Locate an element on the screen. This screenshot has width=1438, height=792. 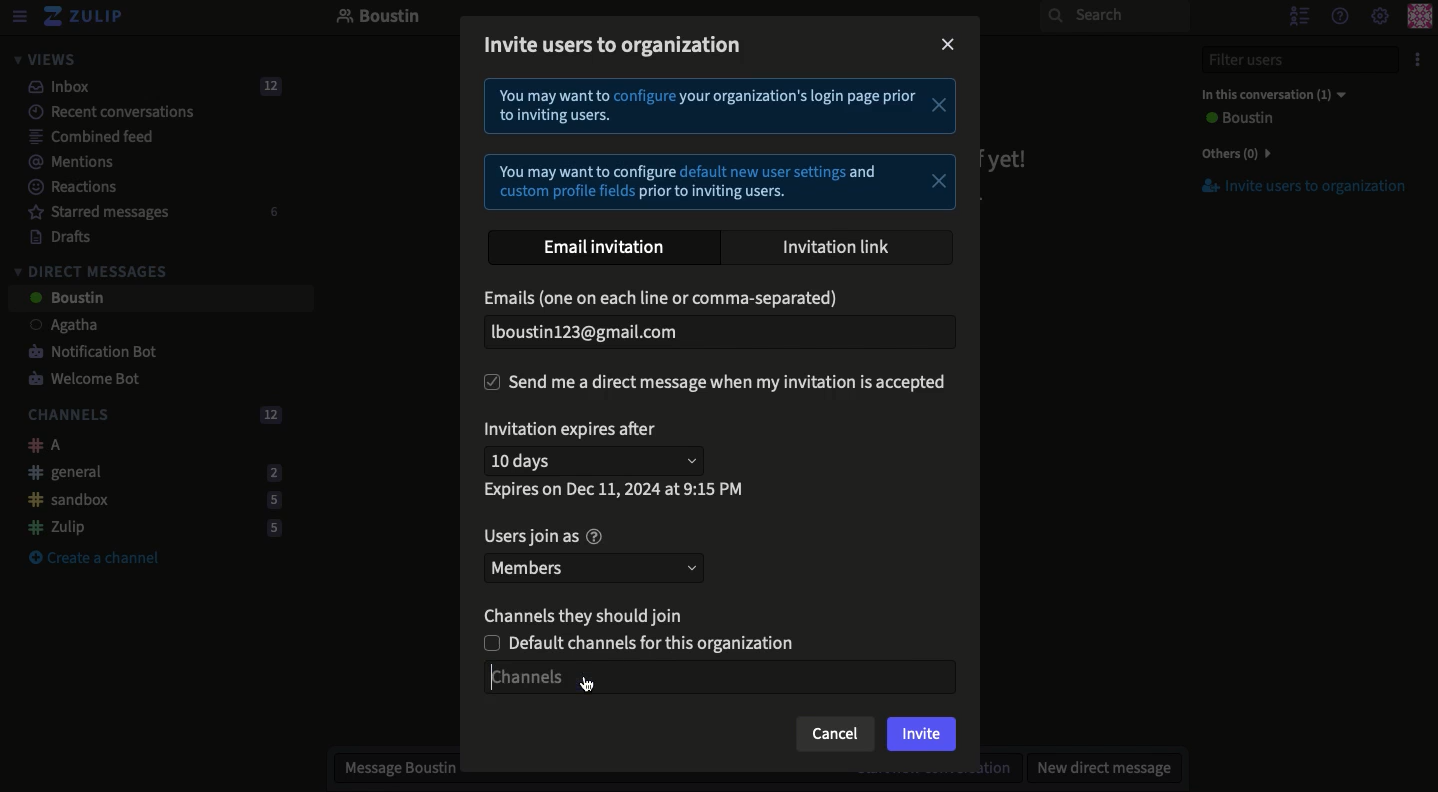
Unselected is located at coordinates (647, 642).